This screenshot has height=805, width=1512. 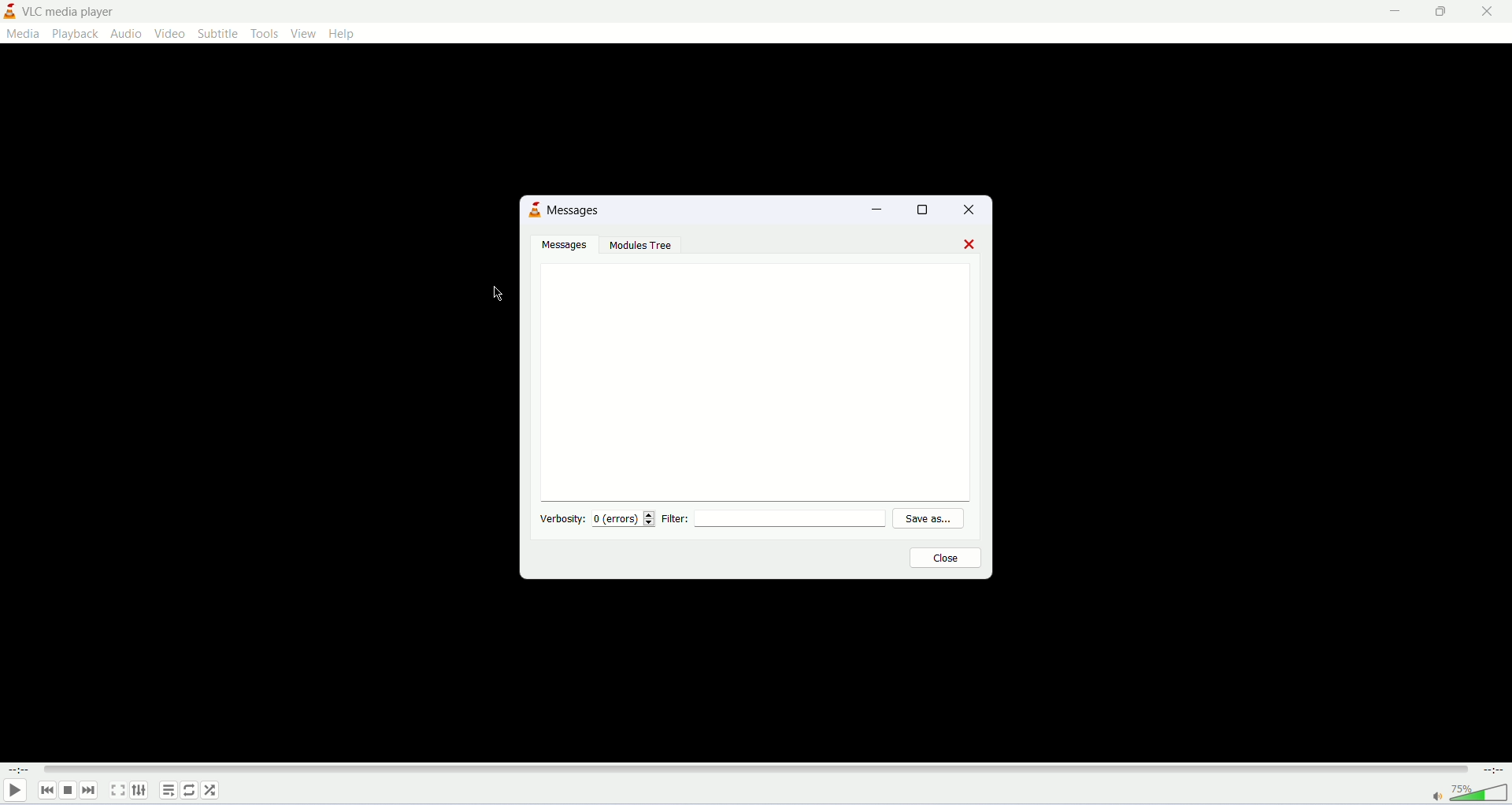 I want to click on messages, so click(x=752, y=378).